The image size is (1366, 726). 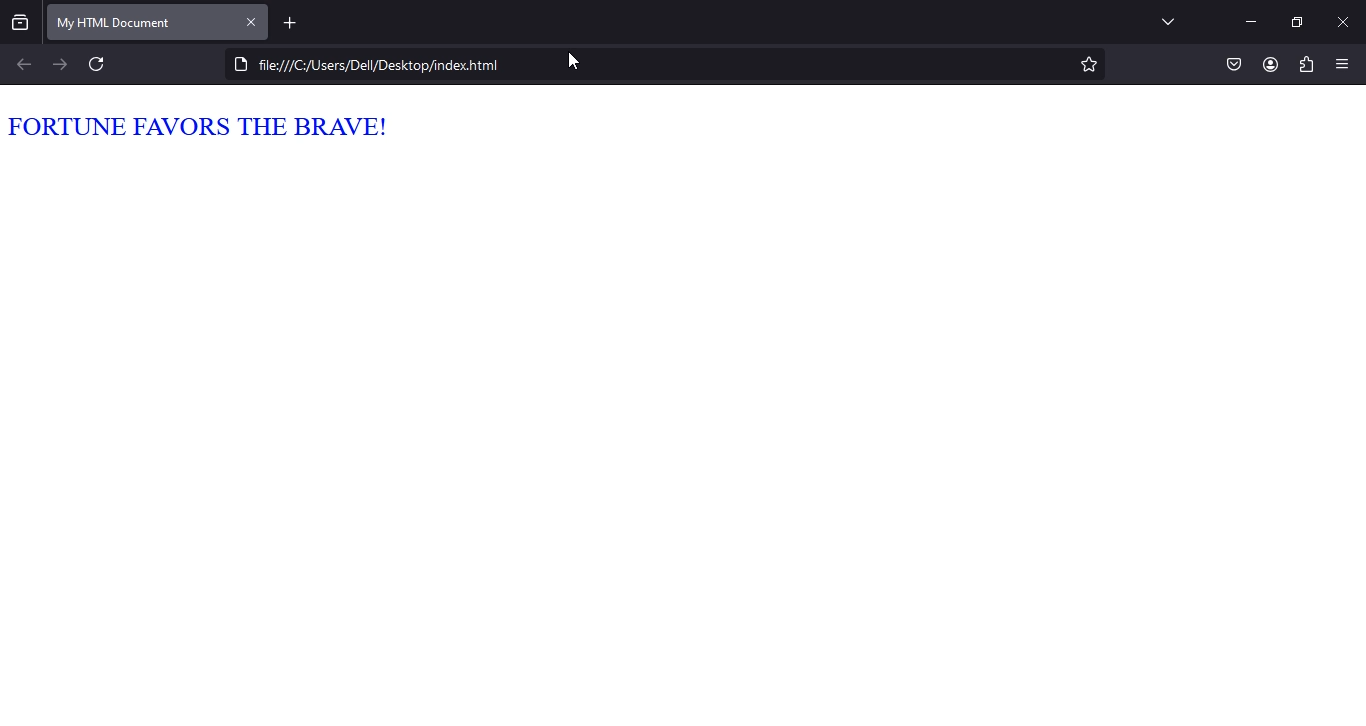 What do you see at coordinates (96, 65) in the screenshot?
I see `refresh` at bounding box center [96, 65].